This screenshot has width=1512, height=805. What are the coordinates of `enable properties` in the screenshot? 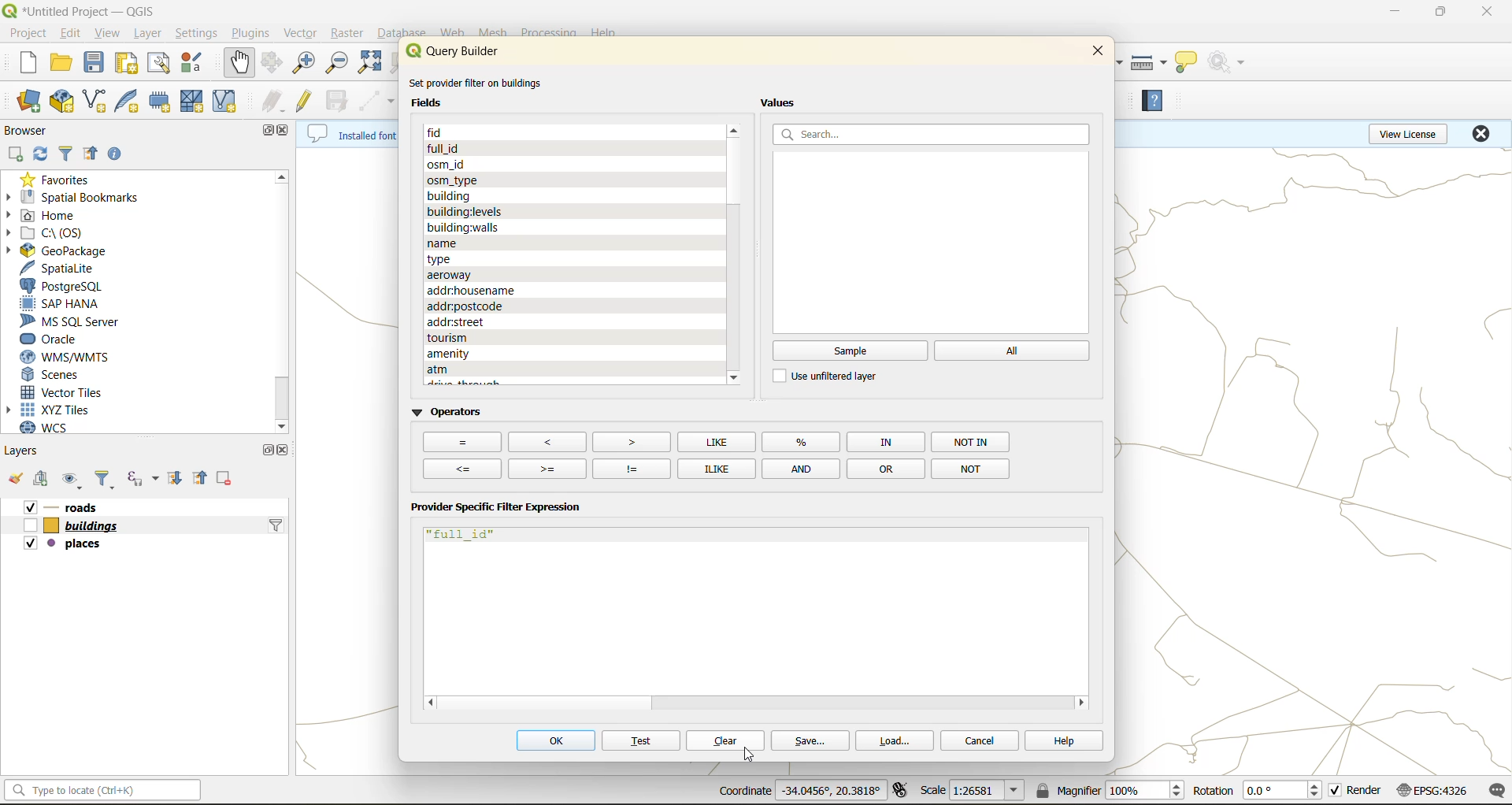 It's located at (124, 153).